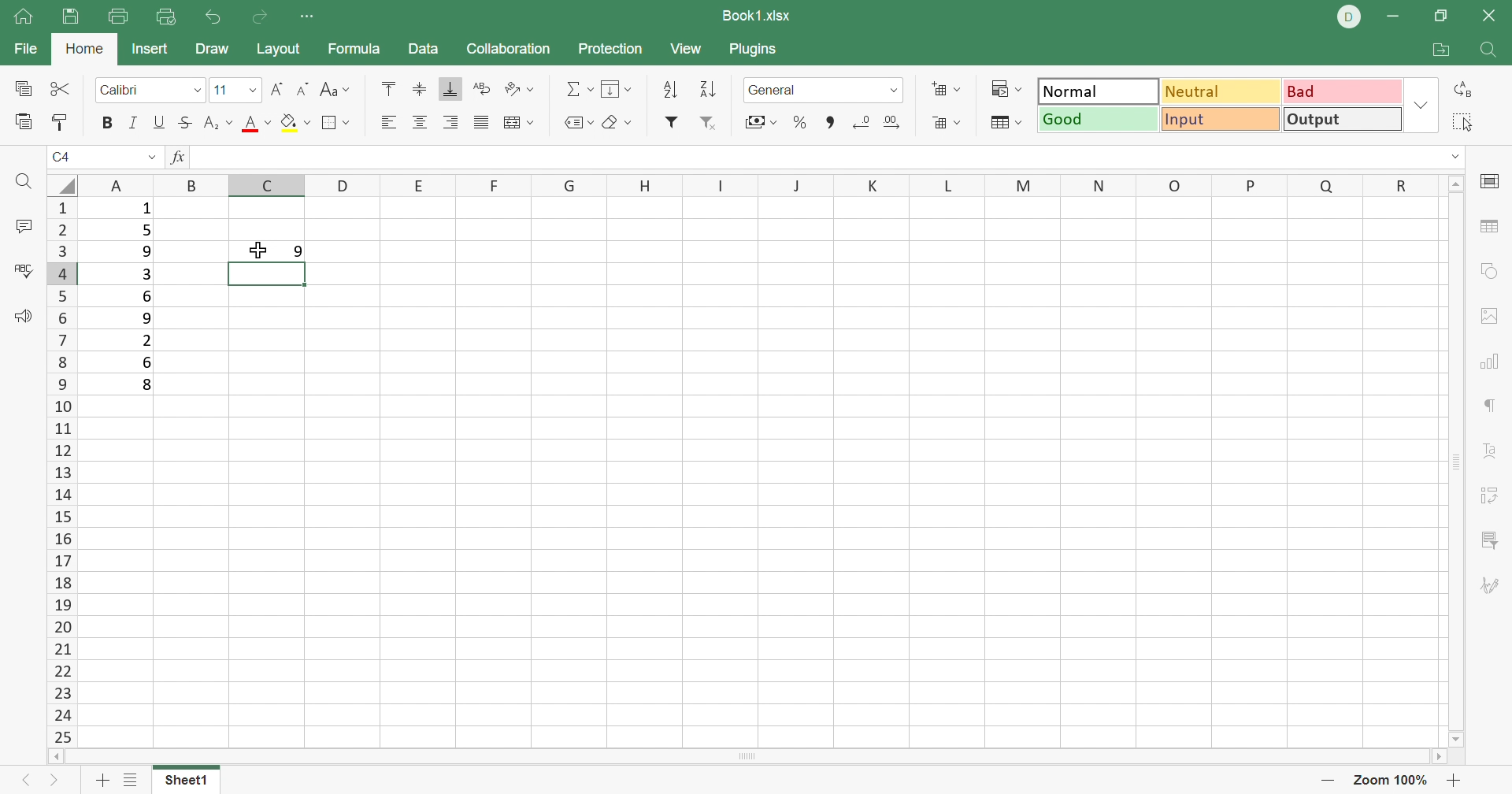  Describe the element at coordinates (61, 758) in the screenshot. I see `Scroll Left` at that location.